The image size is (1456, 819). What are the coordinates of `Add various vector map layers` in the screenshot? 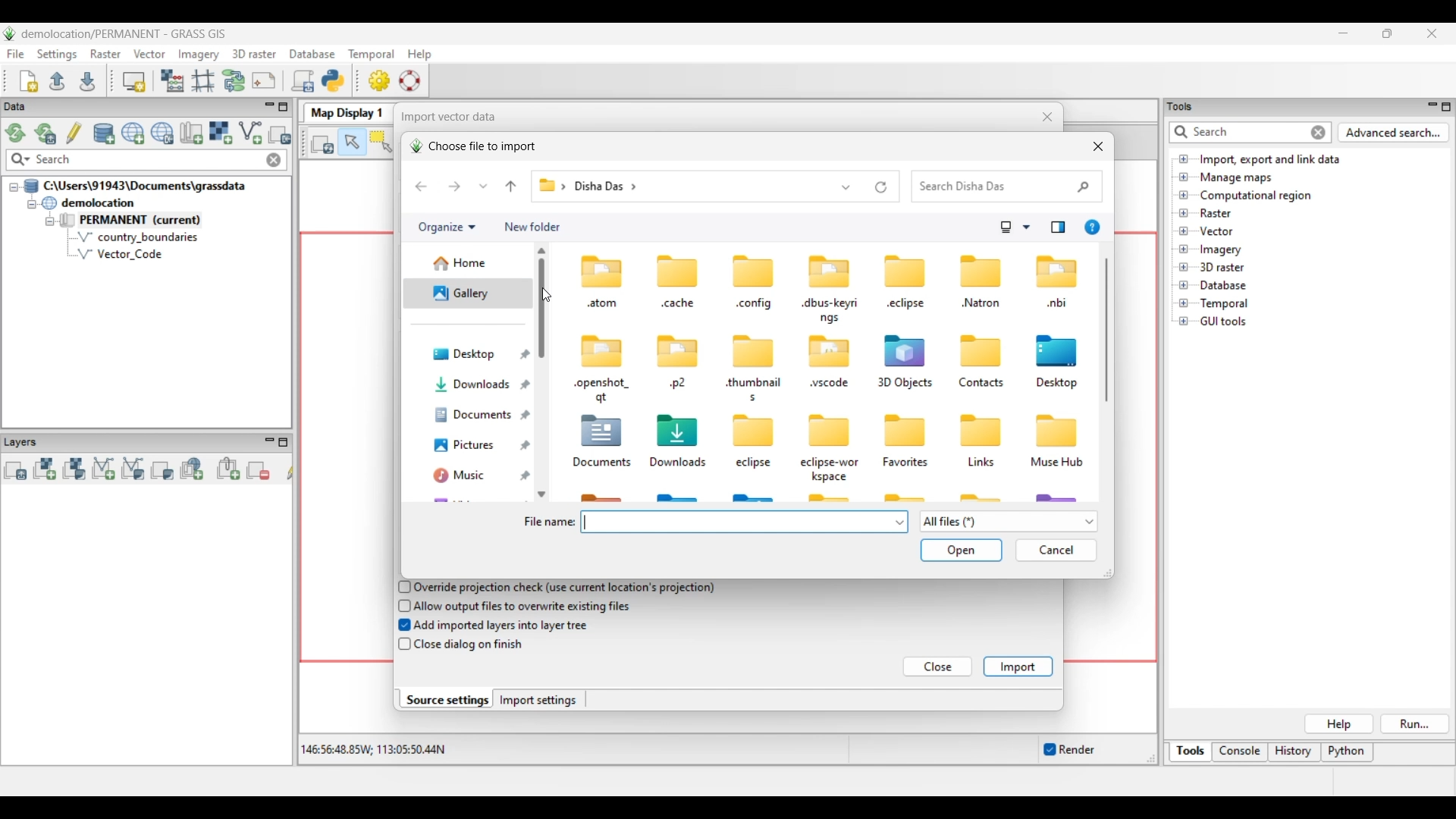 It's located at (133, 469).